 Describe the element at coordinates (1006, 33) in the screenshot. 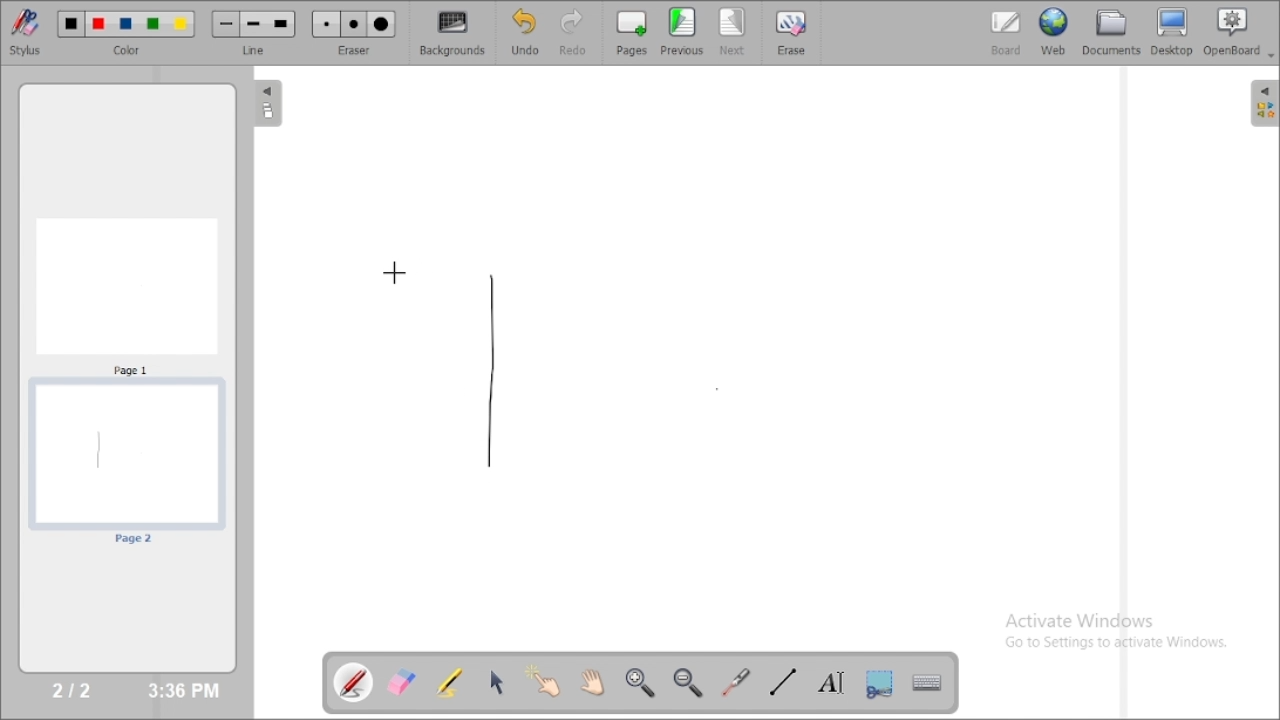

I see `board` at that location.